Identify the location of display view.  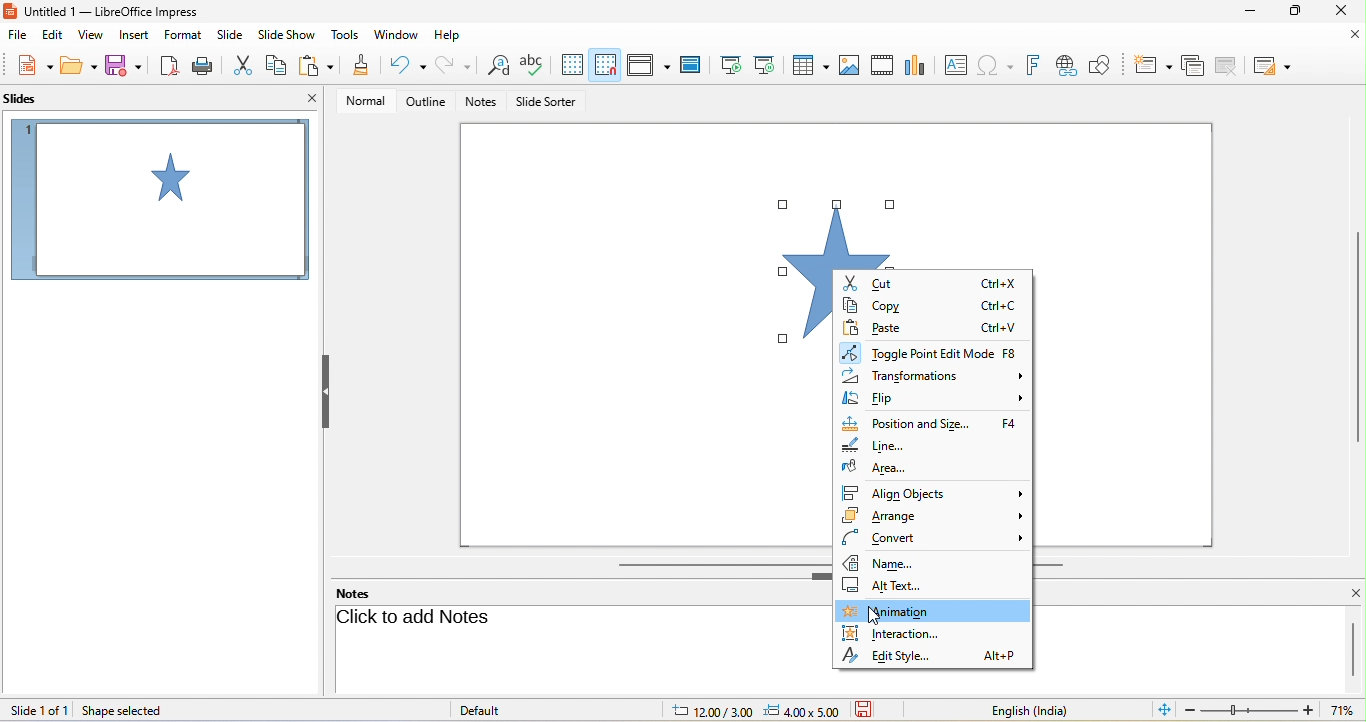
(646, 64).